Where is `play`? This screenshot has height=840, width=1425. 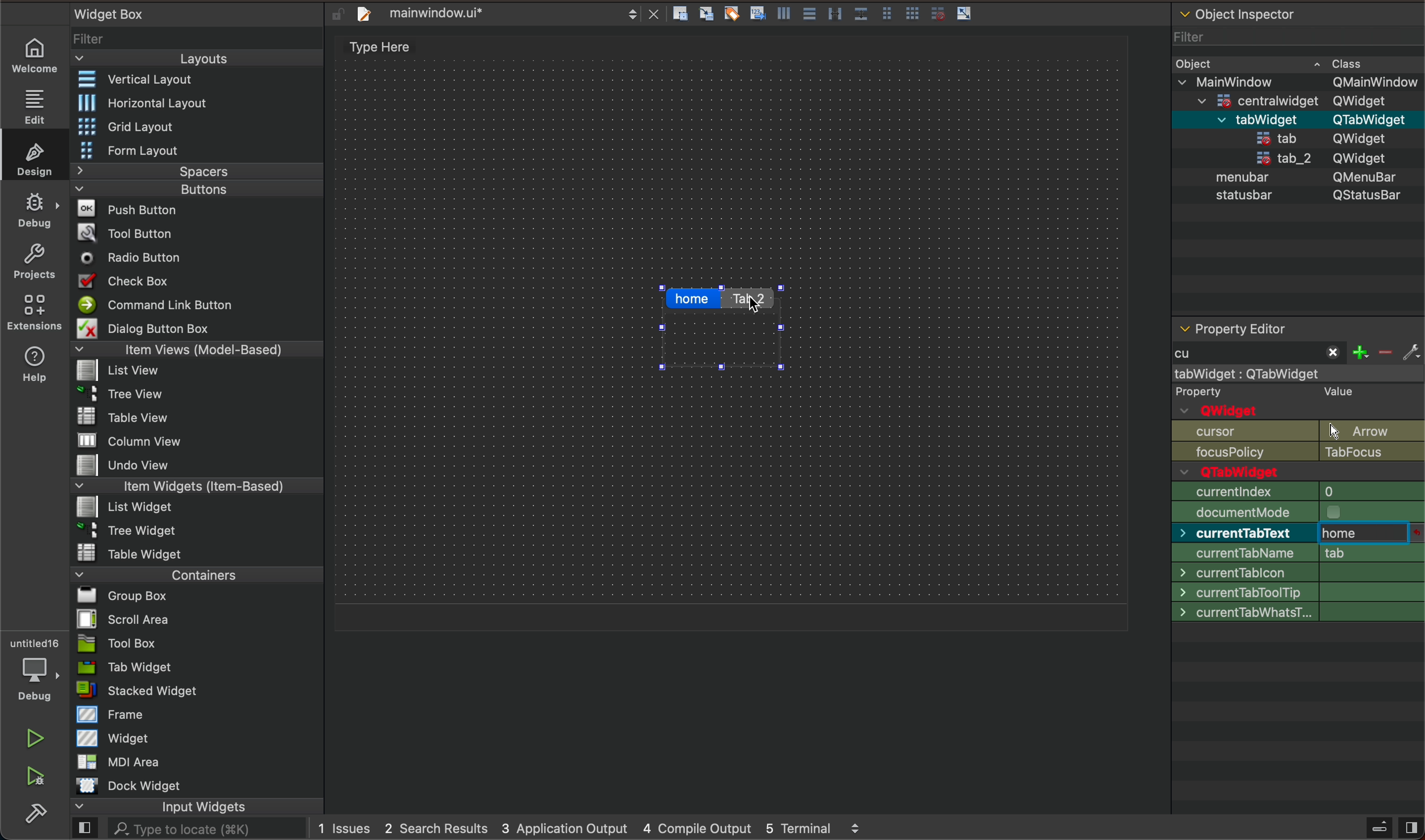 play is located at coordinates (35, 740).